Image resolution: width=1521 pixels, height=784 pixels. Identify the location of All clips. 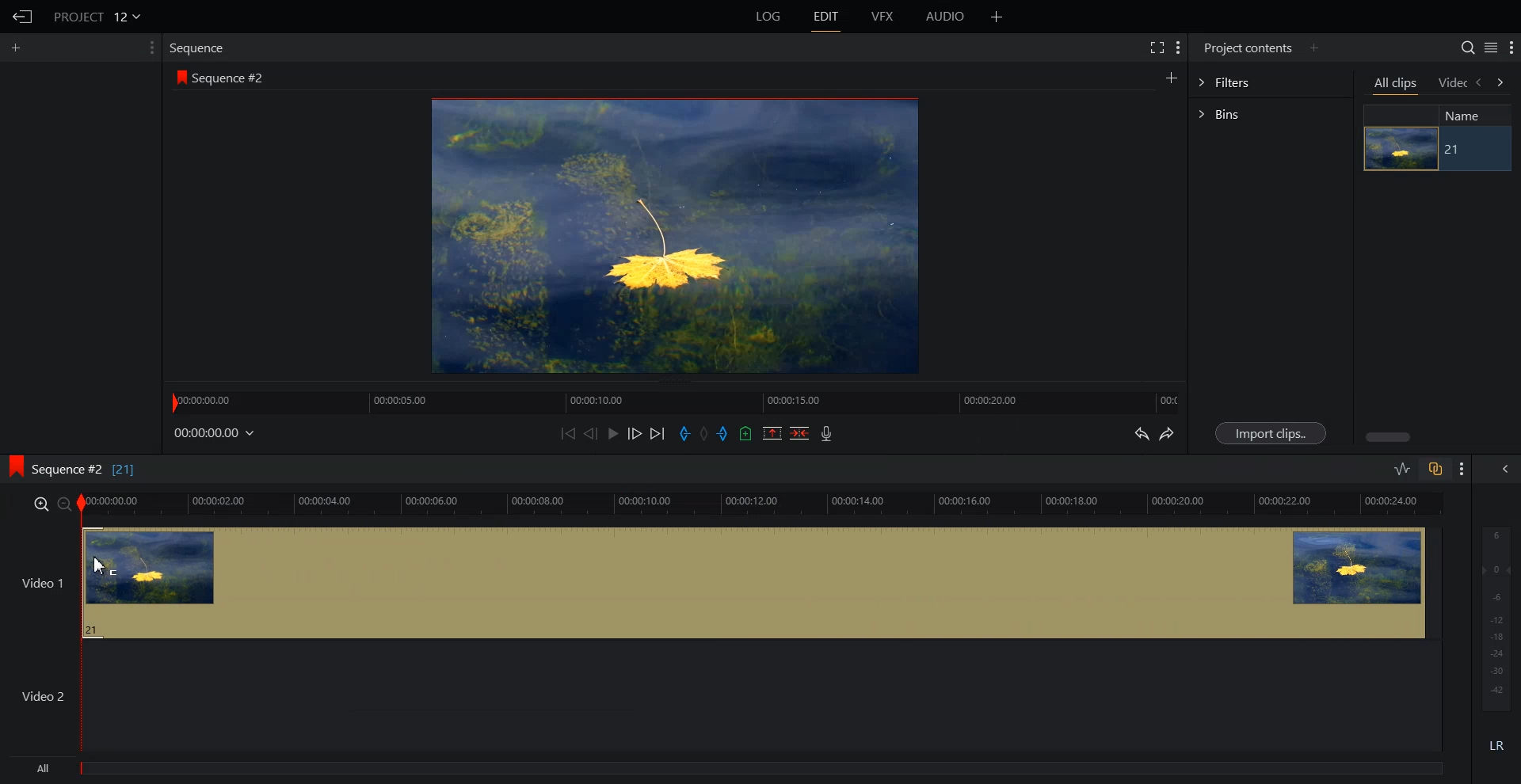
(1397, 86).